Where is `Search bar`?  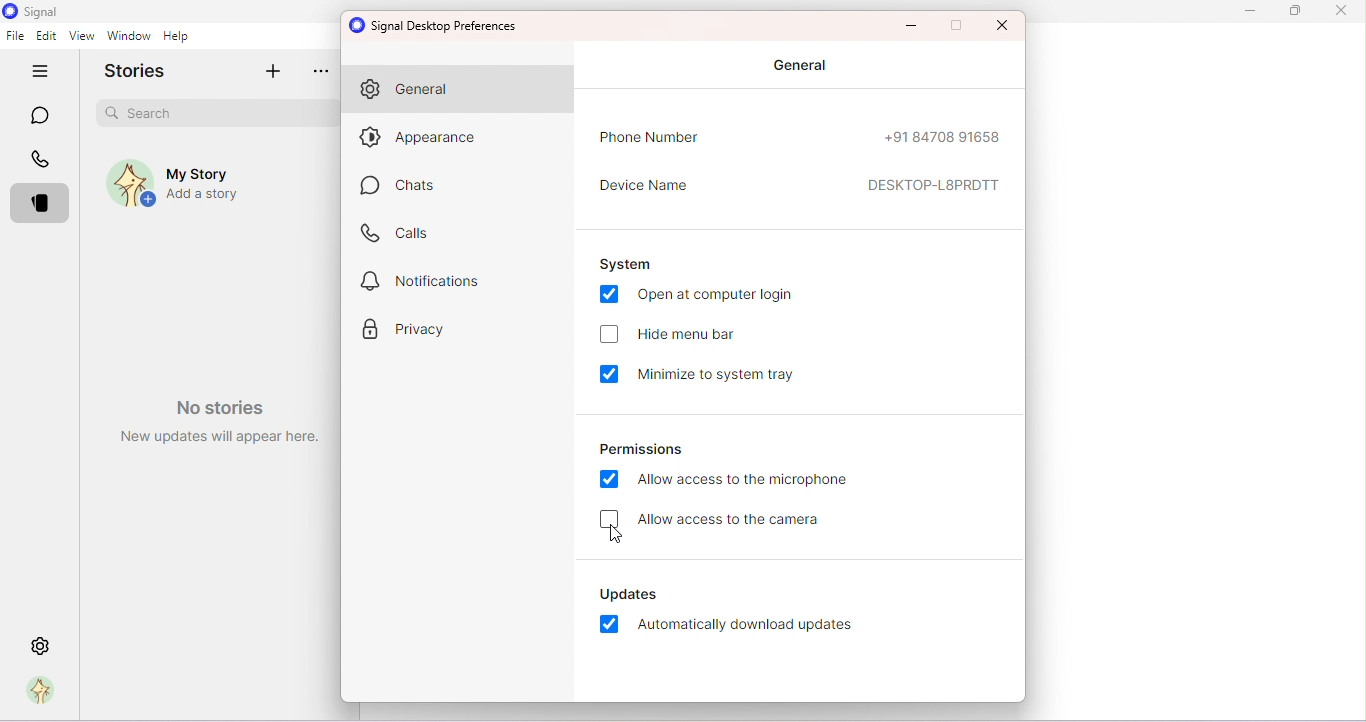 Search bar is located at coordinates (222, 111).